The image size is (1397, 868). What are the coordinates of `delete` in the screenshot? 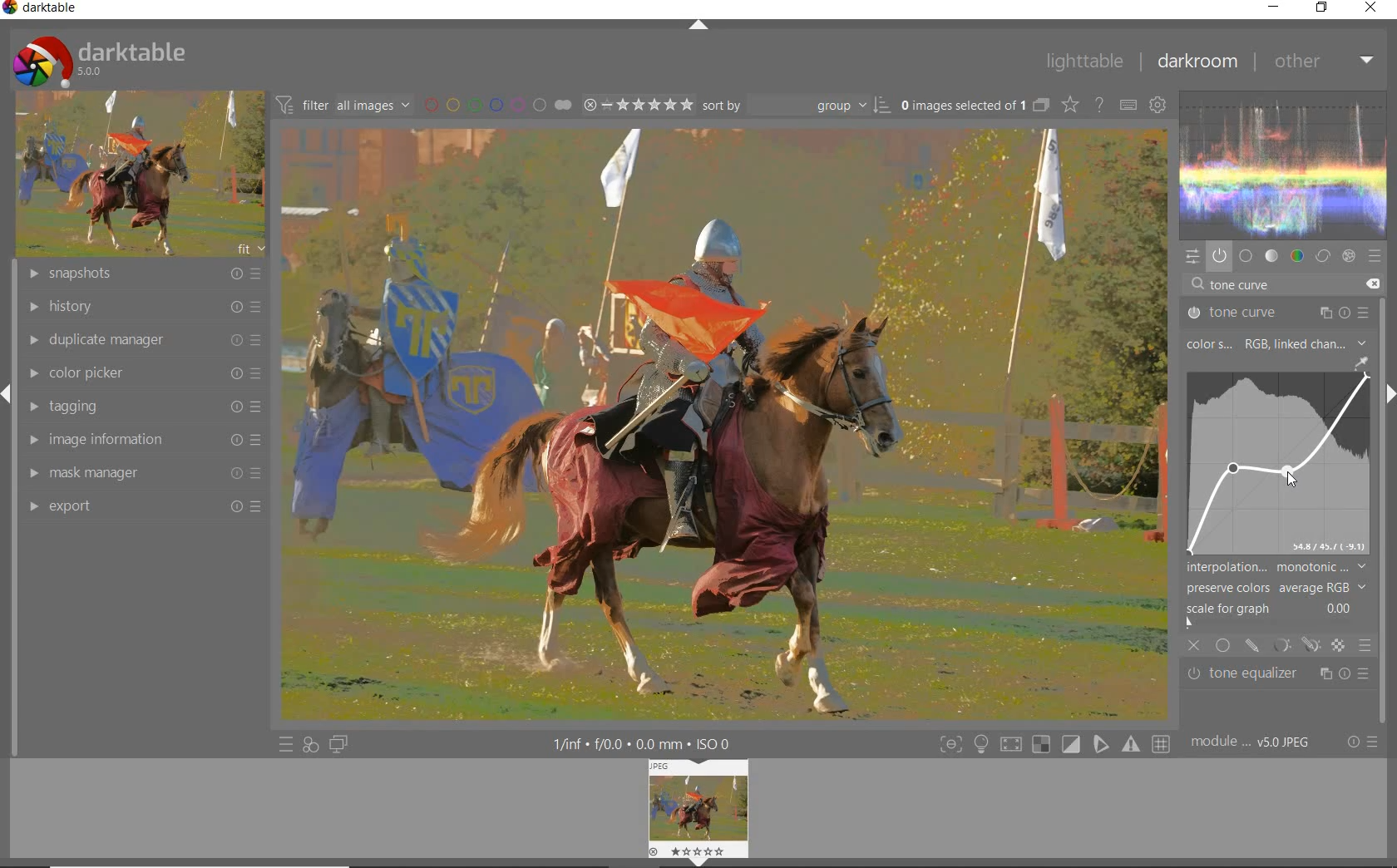 It's located at (1371, 283).